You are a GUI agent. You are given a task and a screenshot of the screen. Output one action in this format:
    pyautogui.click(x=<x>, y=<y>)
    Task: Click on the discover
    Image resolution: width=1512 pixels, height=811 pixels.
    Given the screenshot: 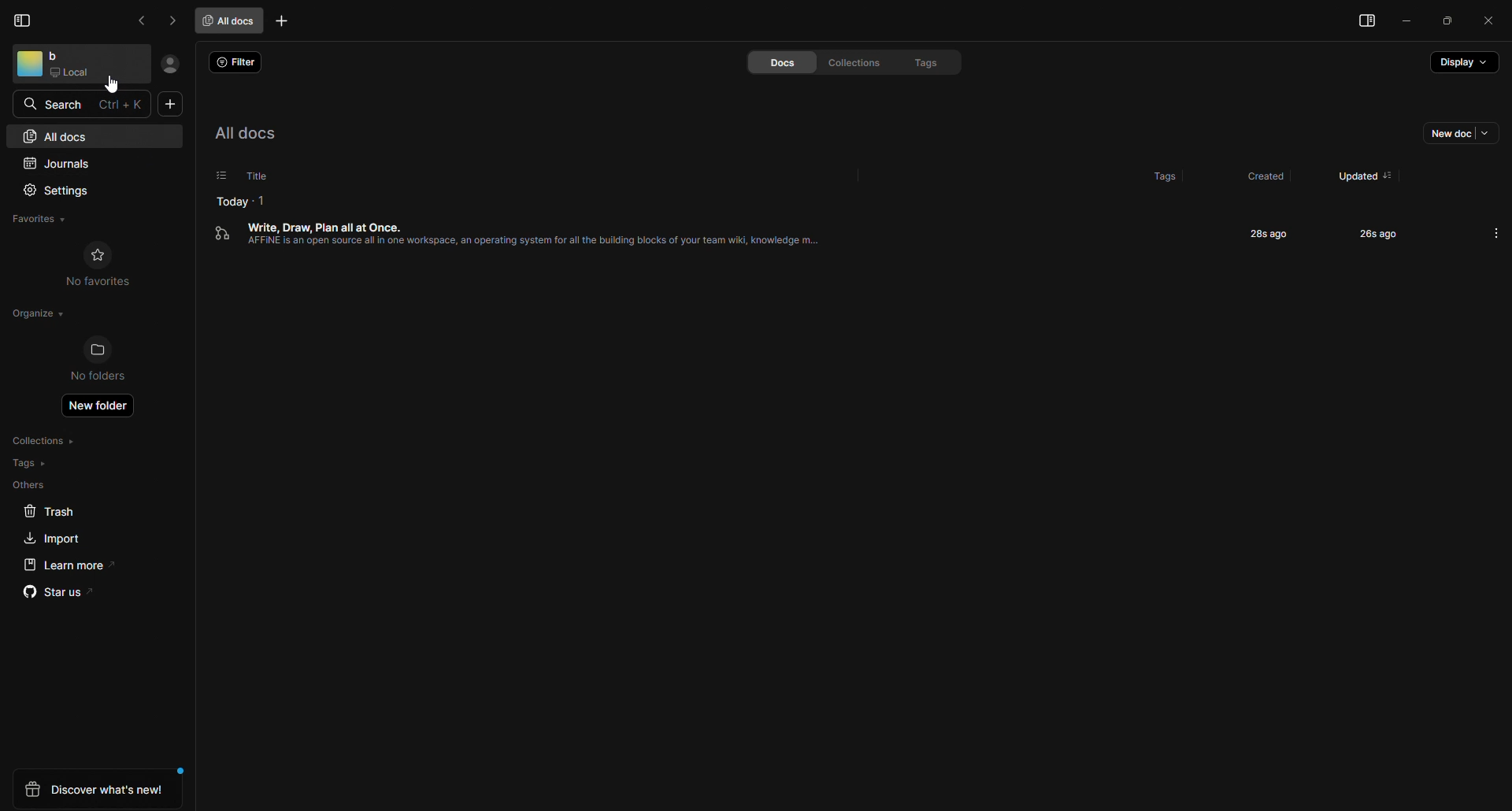 What is the action you would take?
    pyautogui.click(x=97, y=789)
    